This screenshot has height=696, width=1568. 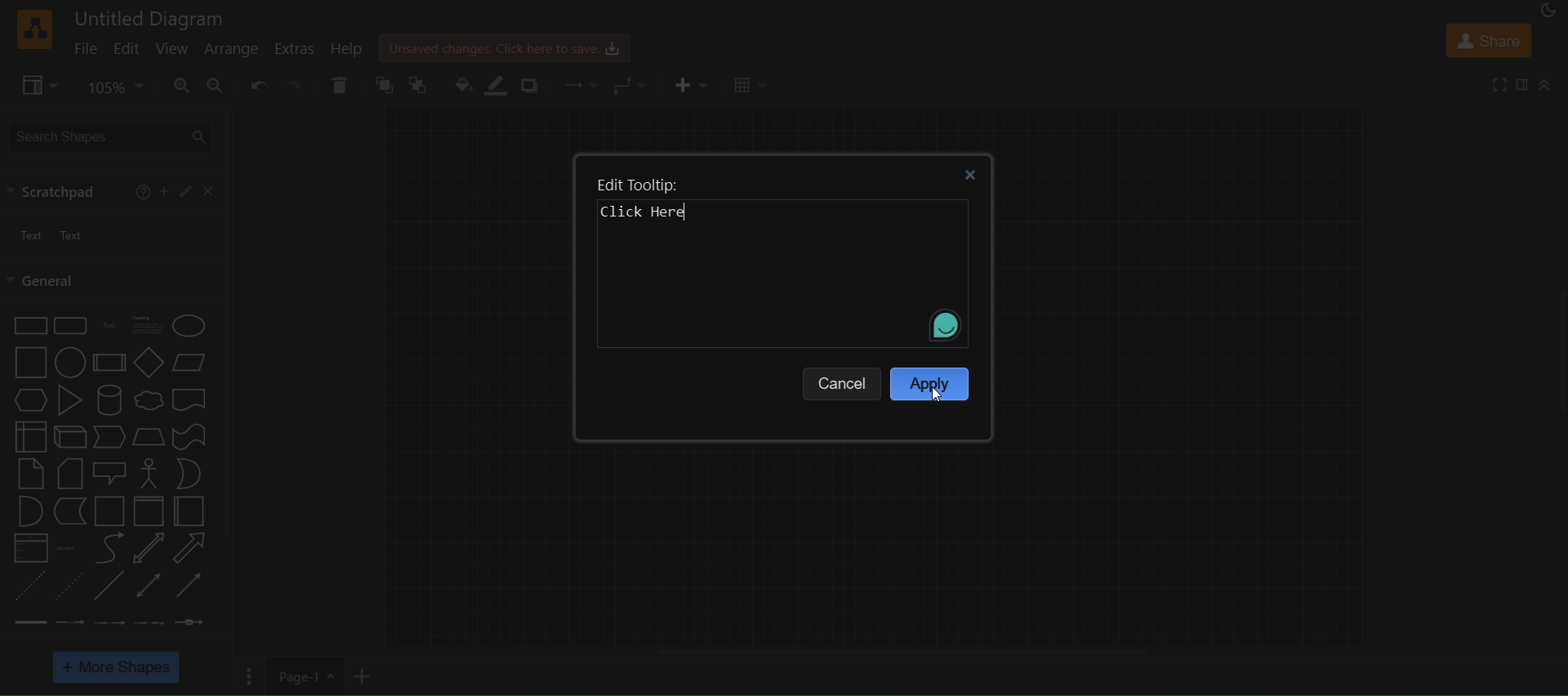 What do you see at coordinates (973, 173) in the screenshot?
I see `close` at bounding box center [973, 173].